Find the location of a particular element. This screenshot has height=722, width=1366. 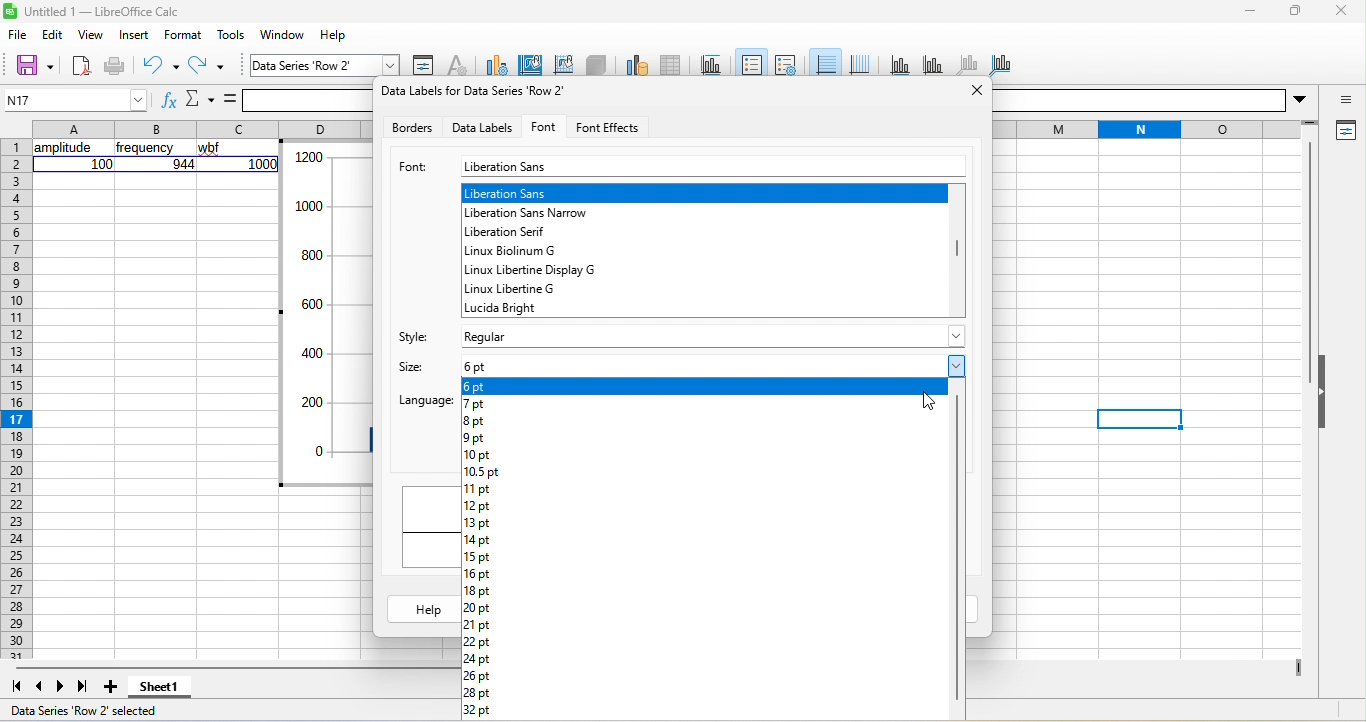

legend  is located at coordinates (786, 63).